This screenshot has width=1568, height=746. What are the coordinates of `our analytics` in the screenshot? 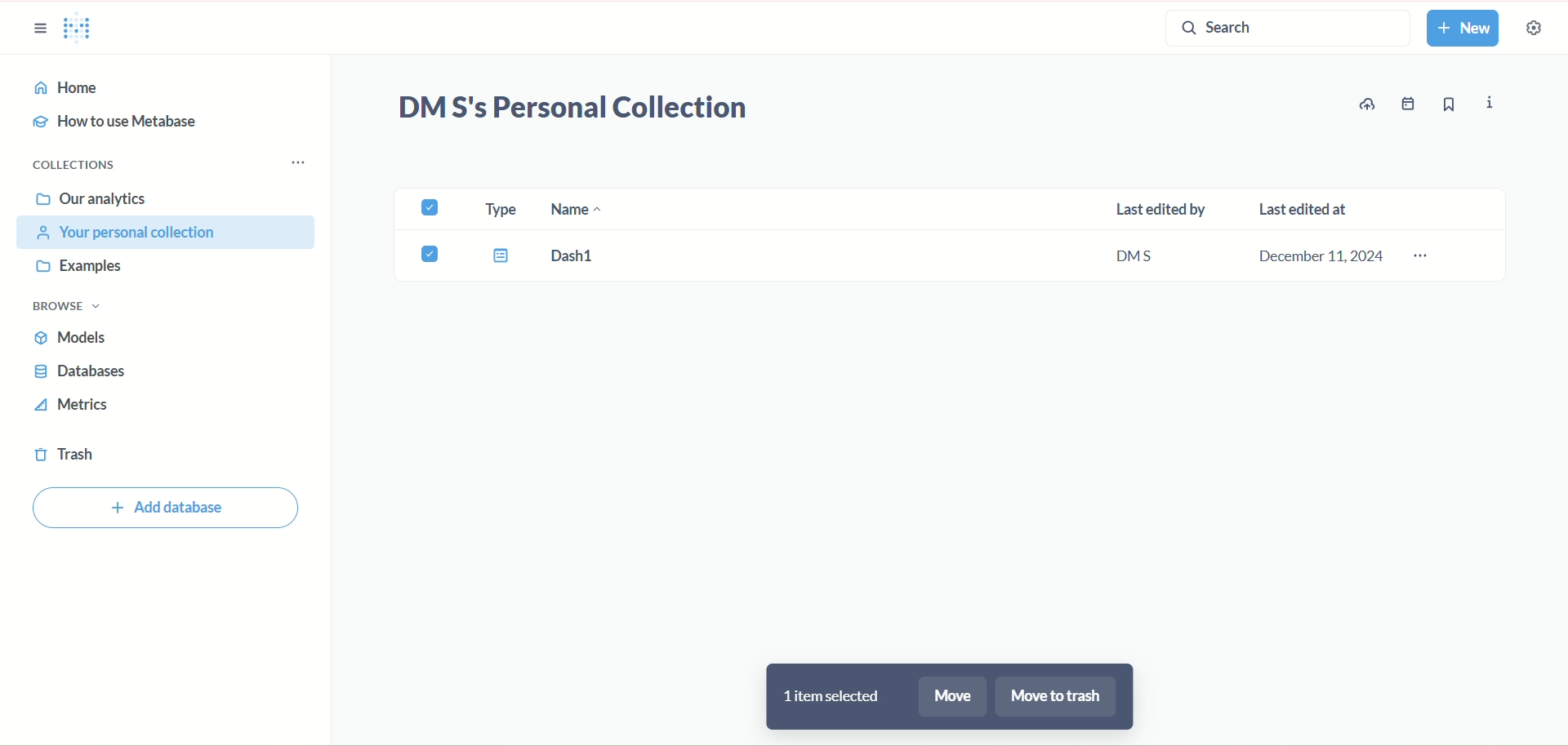 It's located at (96, 198).